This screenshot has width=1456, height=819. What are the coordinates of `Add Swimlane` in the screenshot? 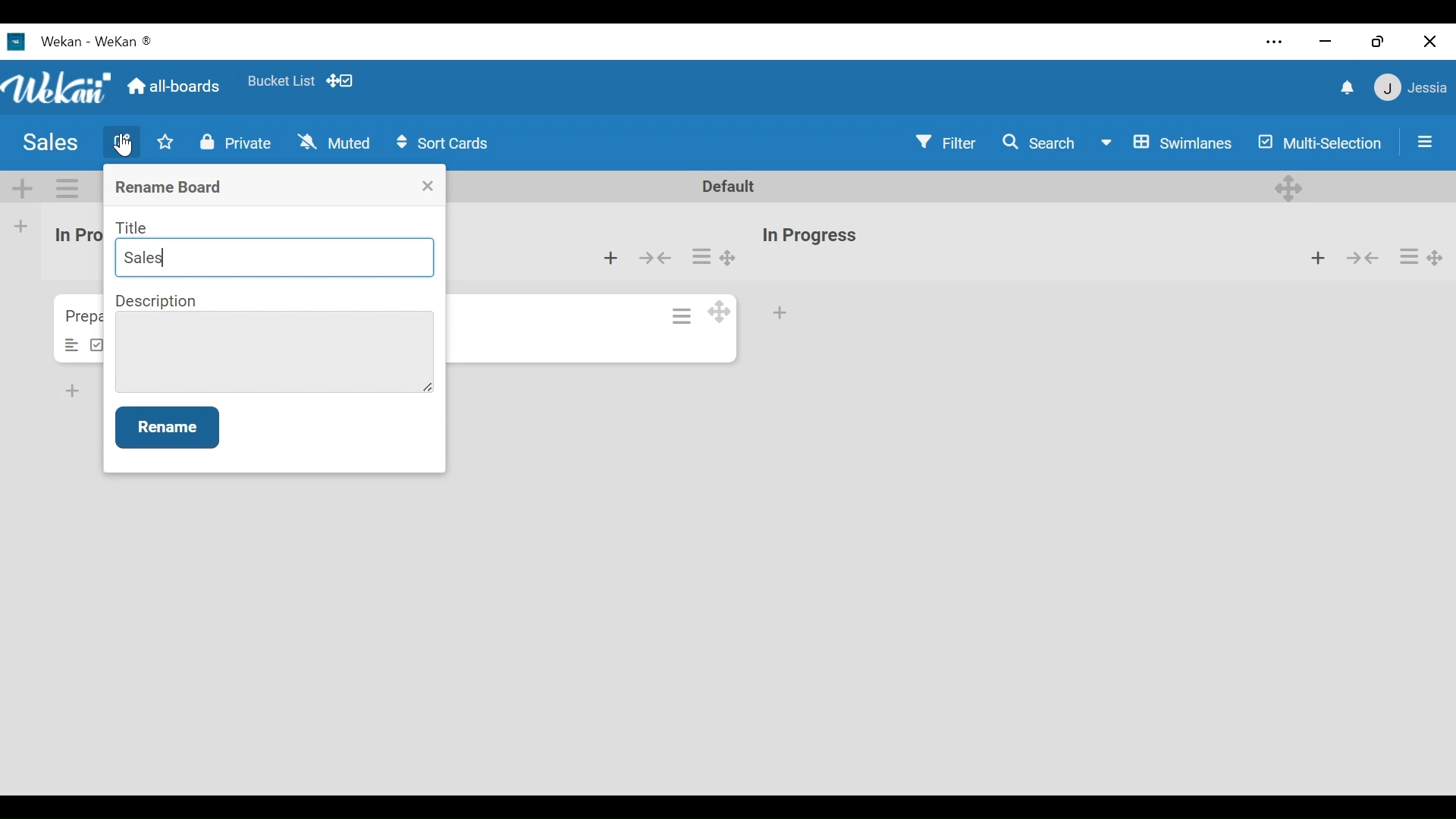 It's located at (20, 187).